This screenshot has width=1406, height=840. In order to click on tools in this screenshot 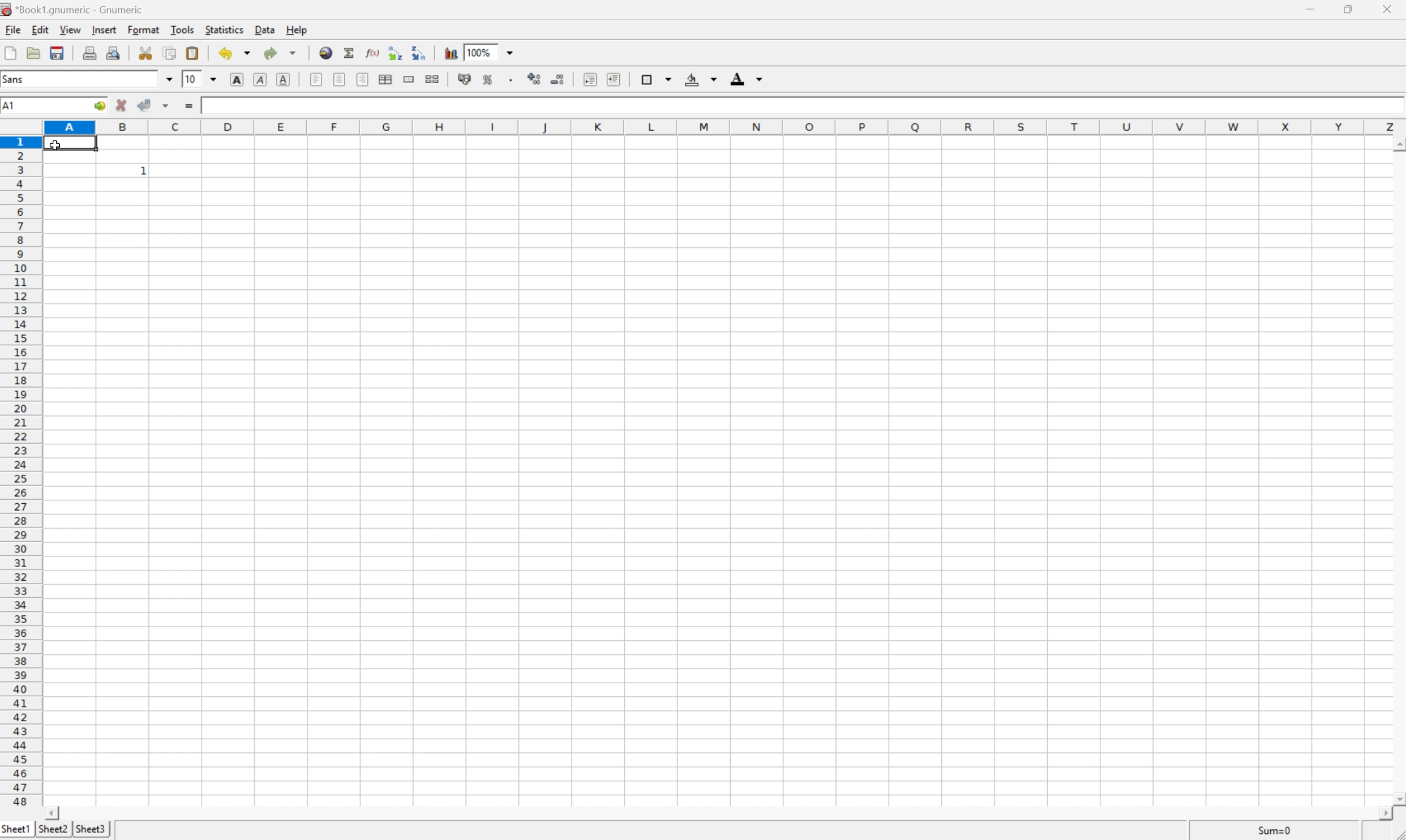, I will do `click(182, 30)`.